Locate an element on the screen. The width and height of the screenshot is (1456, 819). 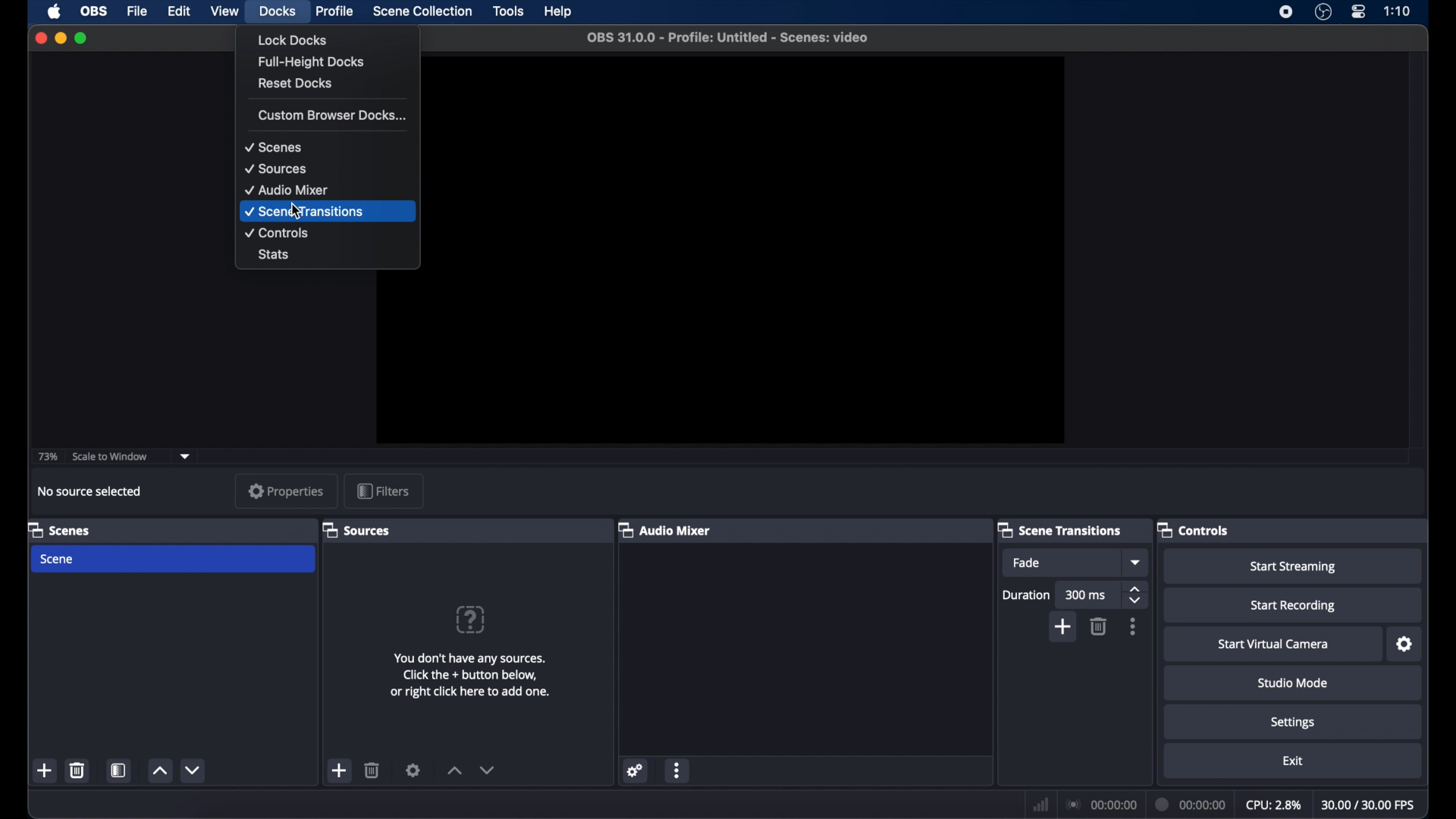
settings is located at coordinates (1293, 723).